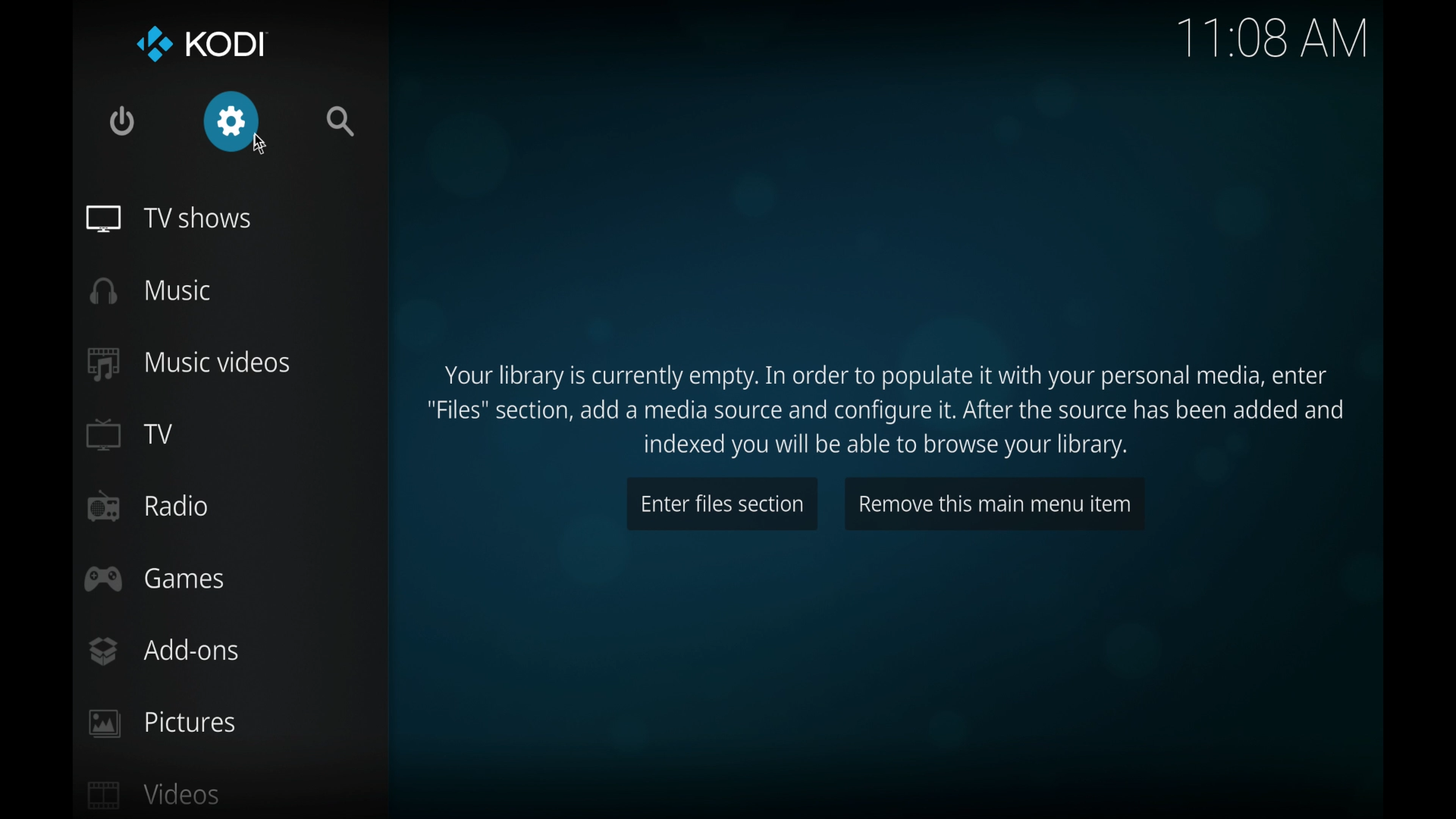 The height and width of the screenshot is (819, 1456). What do you see at coordinates (895, 412) in the screenshot?
I see `Your library is currently empty. In order to populate it with your personal media, enter
"Files" section, add a media source and configure it. After the source has been added and
indexed you will be able to browse your library.` at bounding box center [895, 412].